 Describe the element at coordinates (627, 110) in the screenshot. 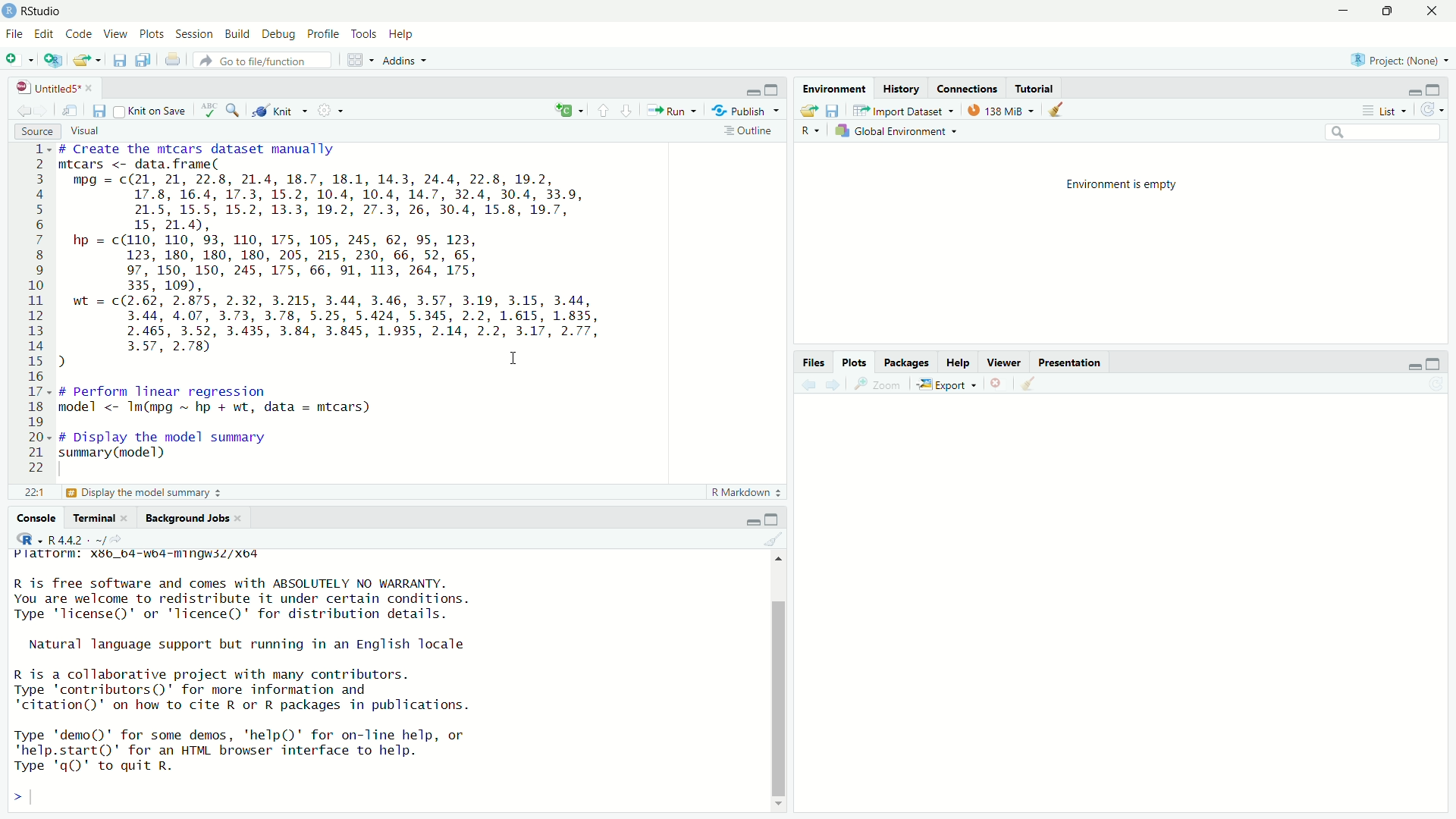

I see `go to next section` at that location.